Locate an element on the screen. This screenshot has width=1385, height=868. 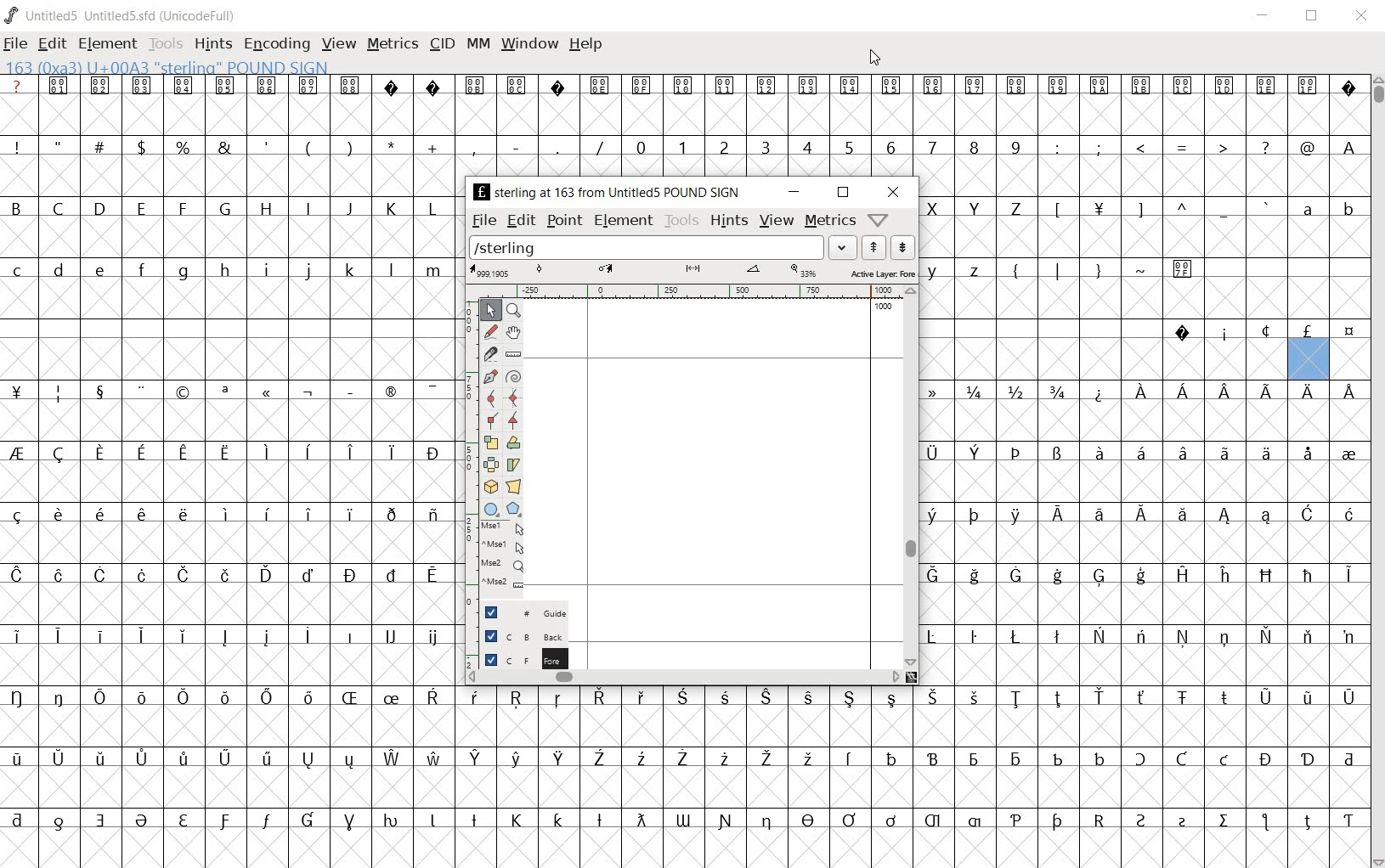
Symbol is located at coordinates (432, 757).